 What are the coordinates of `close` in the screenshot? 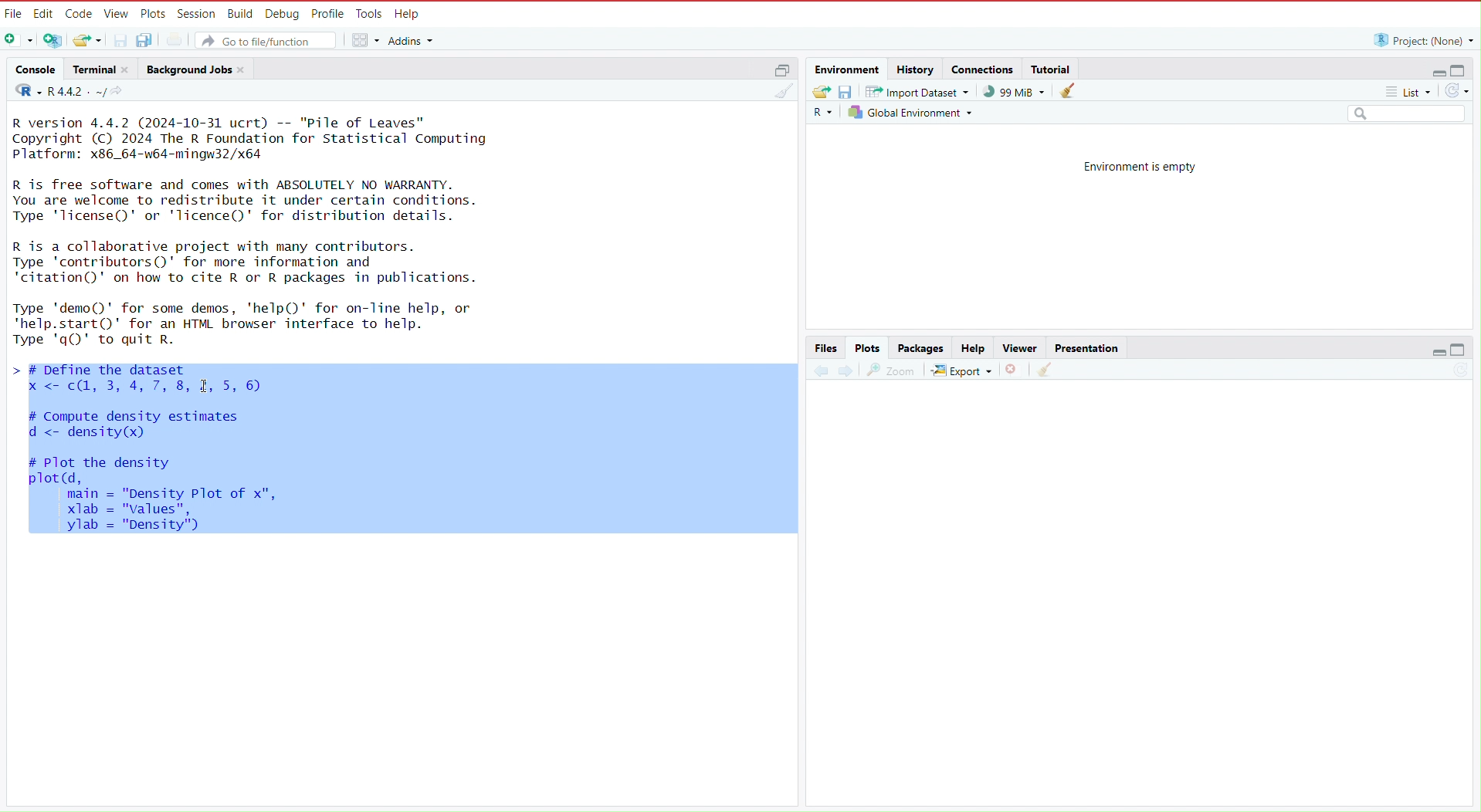 It's located at (245, 69).